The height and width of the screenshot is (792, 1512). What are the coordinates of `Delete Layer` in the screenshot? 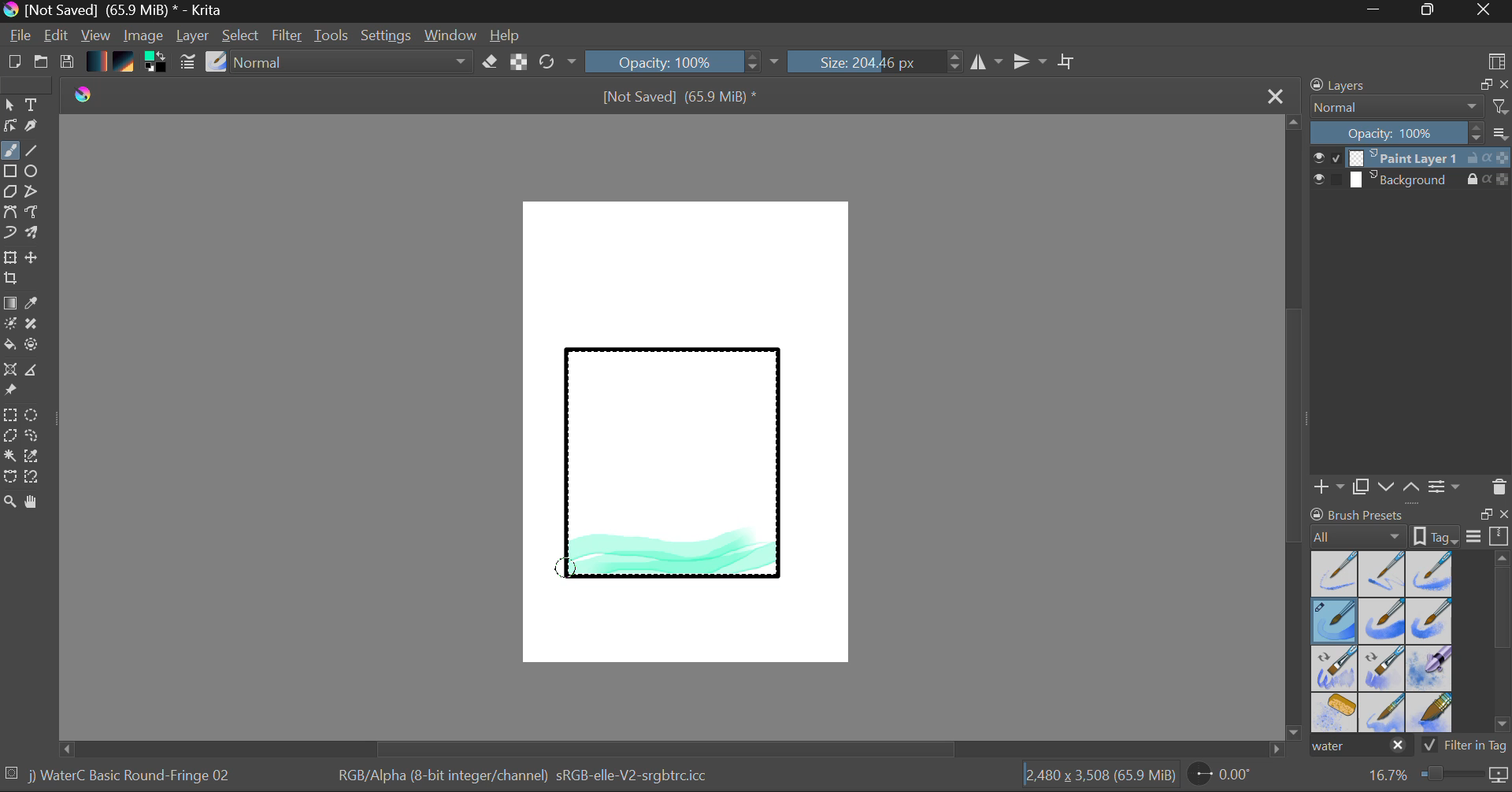 It's located at (1499, 487).